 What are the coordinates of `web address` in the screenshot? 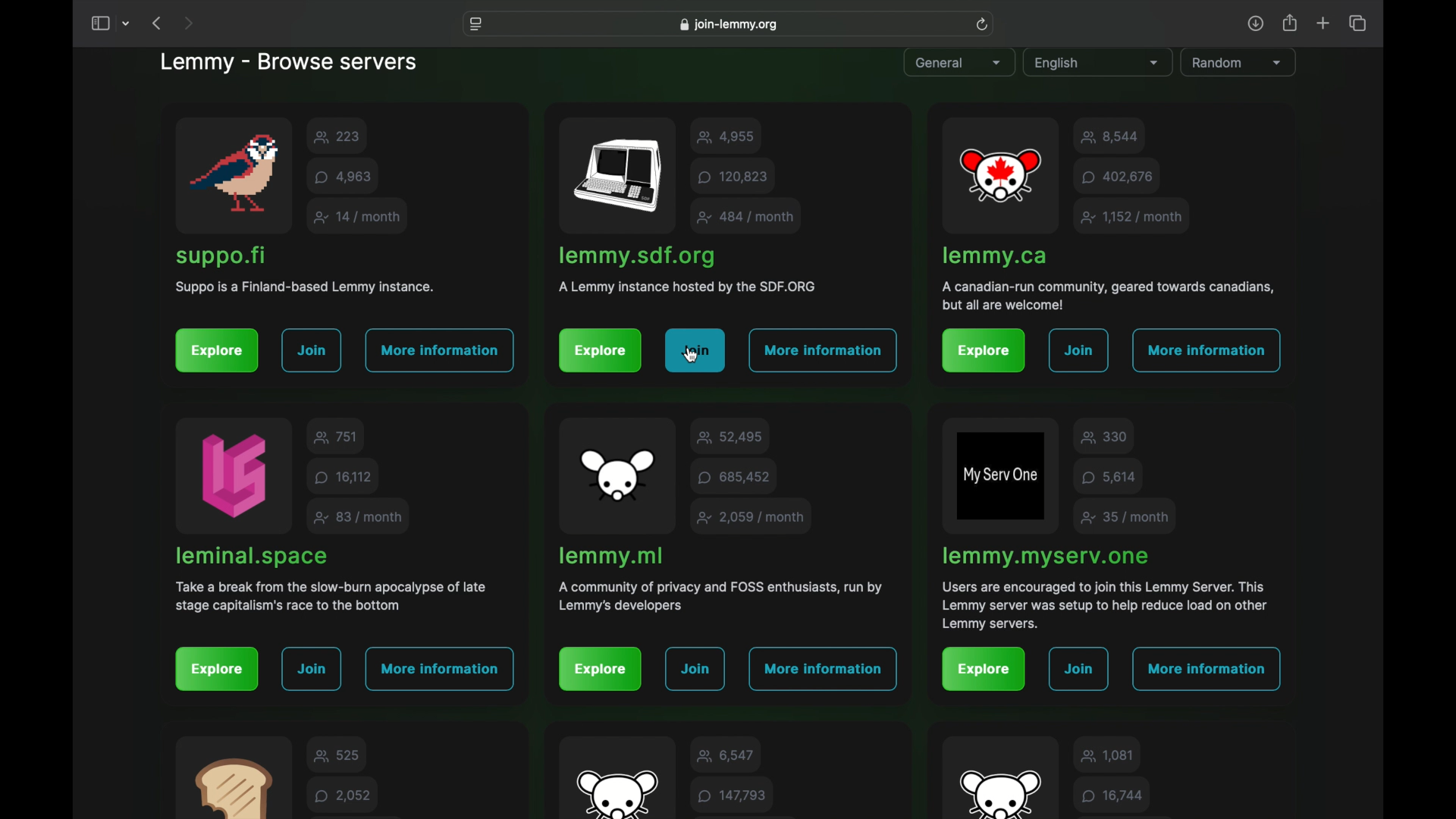 It's located at (728, 24).